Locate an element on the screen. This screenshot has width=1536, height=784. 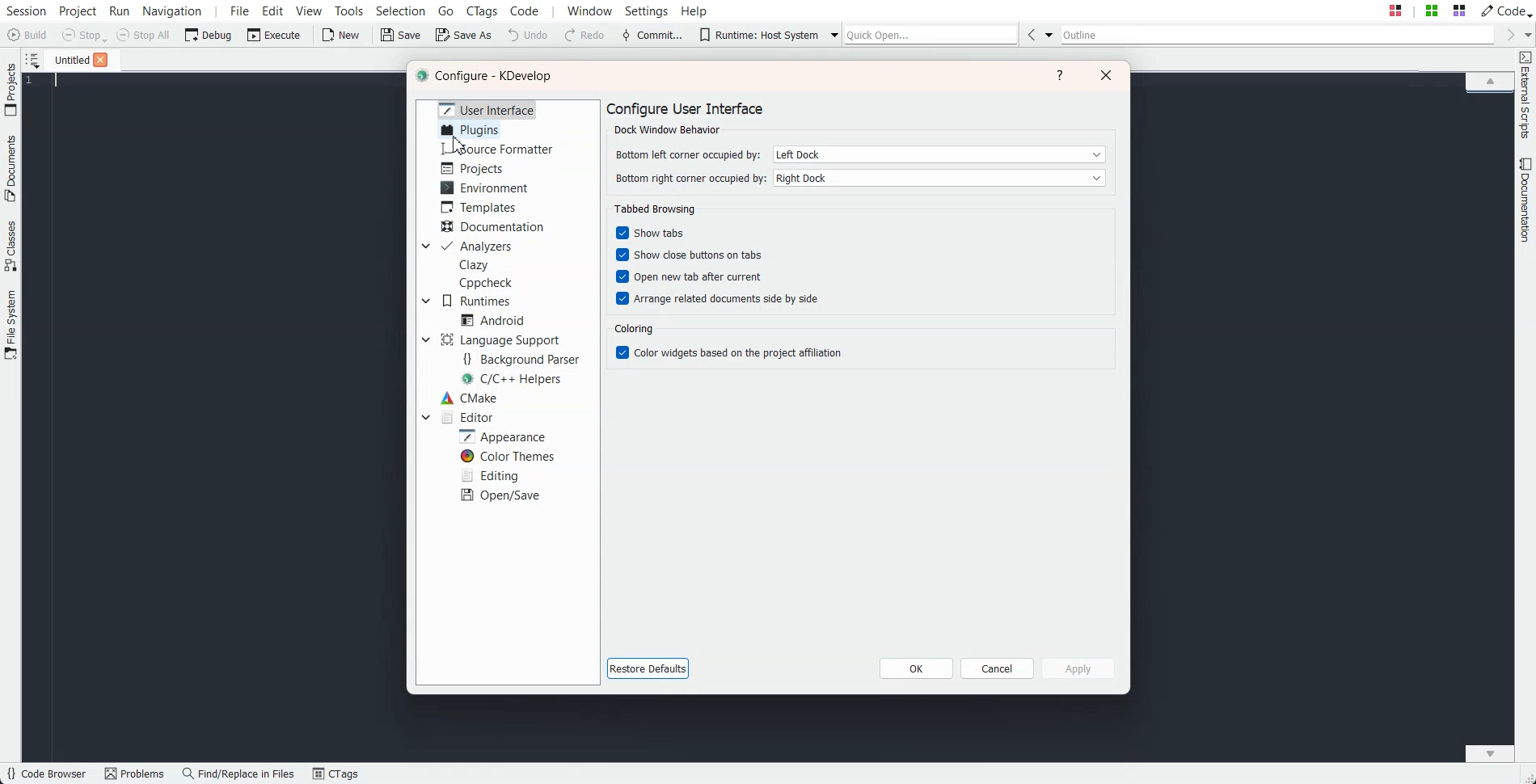
Run is located at coordinates (118, 11).